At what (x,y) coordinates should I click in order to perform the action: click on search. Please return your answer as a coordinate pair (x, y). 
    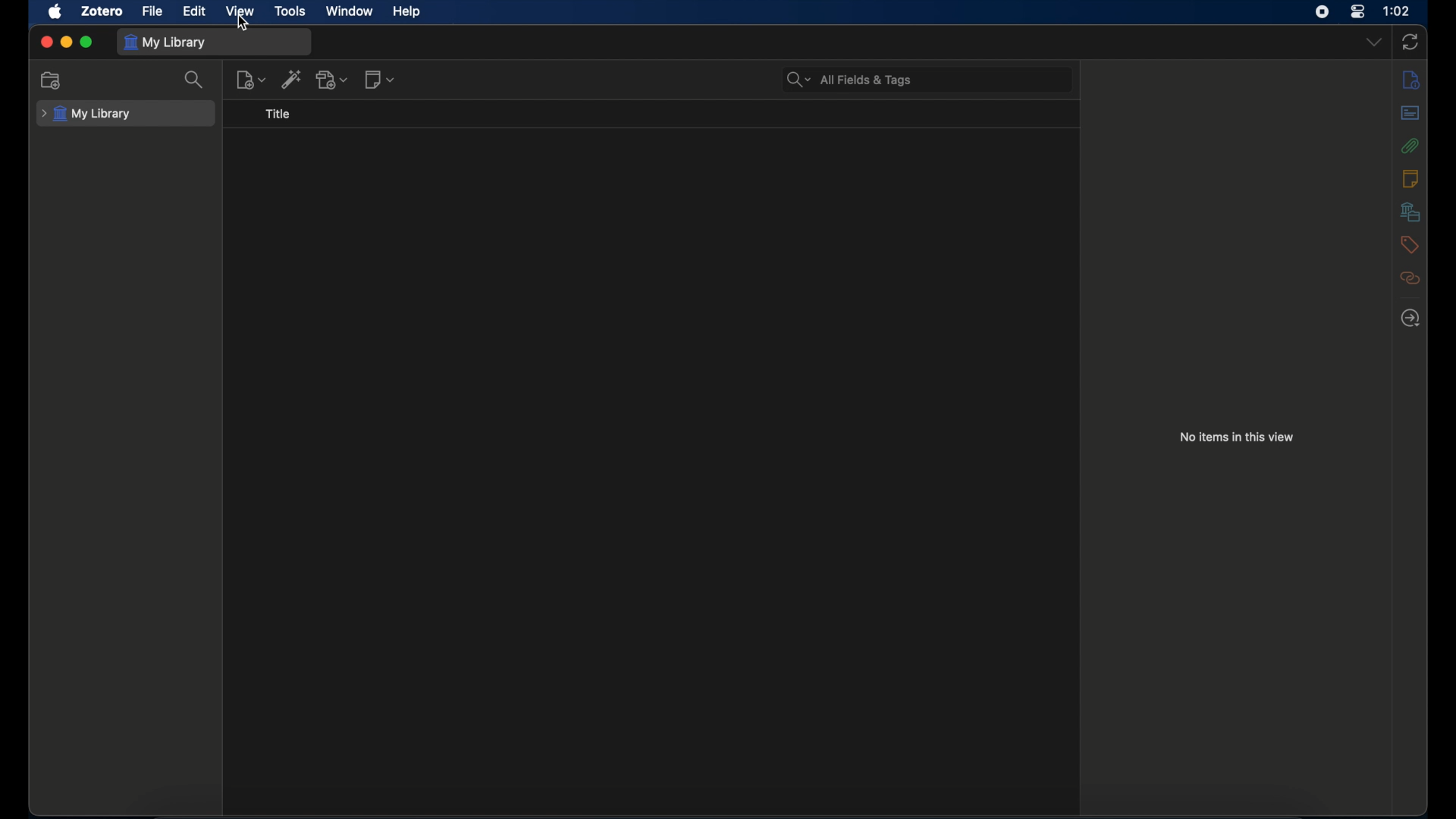
    Looking at the image, I should click on (193, 81).